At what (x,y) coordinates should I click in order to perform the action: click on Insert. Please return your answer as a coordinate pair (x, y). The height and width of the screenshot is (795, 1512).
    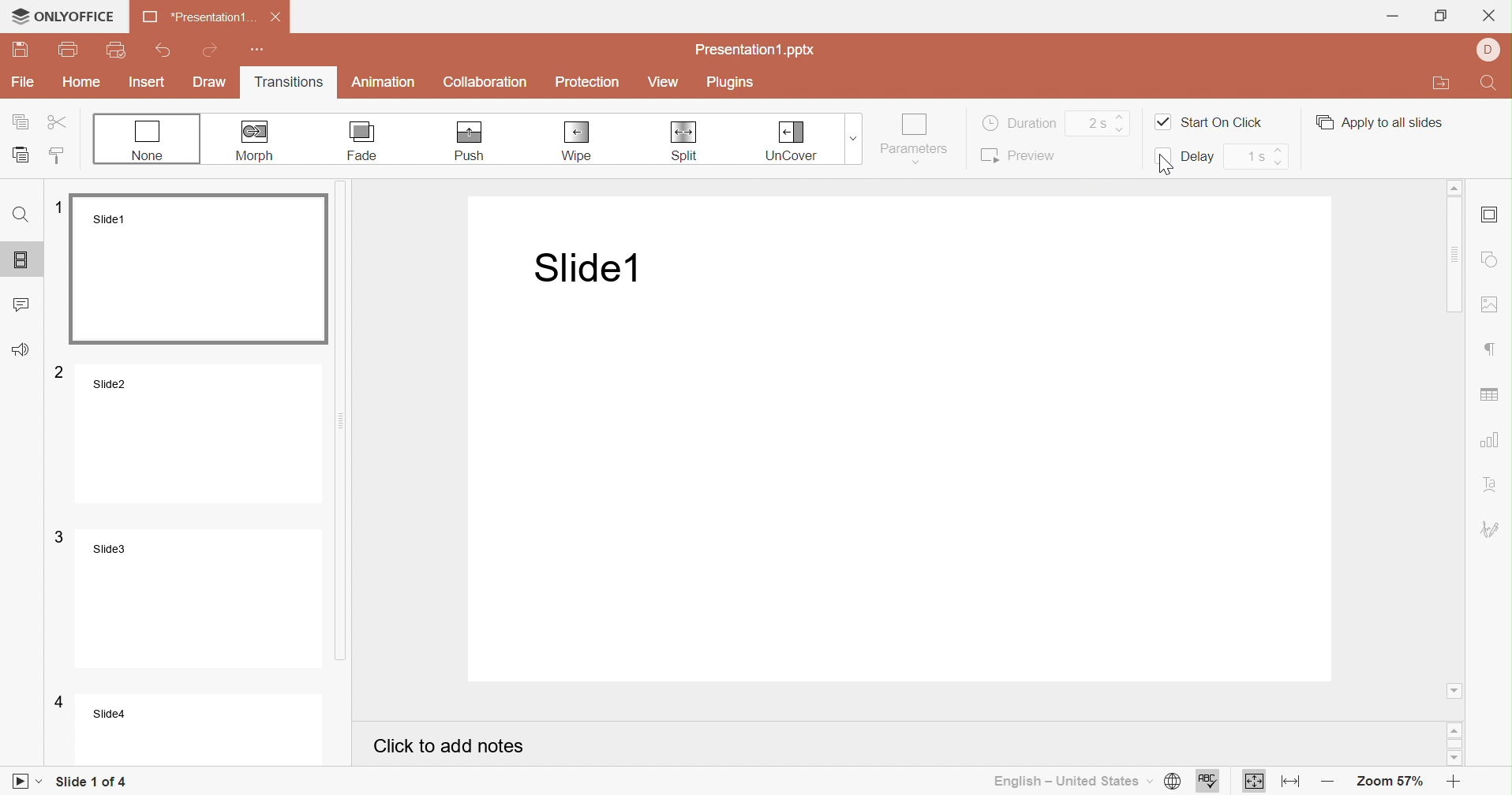
    Looking at the image, I should click on (148, 82).